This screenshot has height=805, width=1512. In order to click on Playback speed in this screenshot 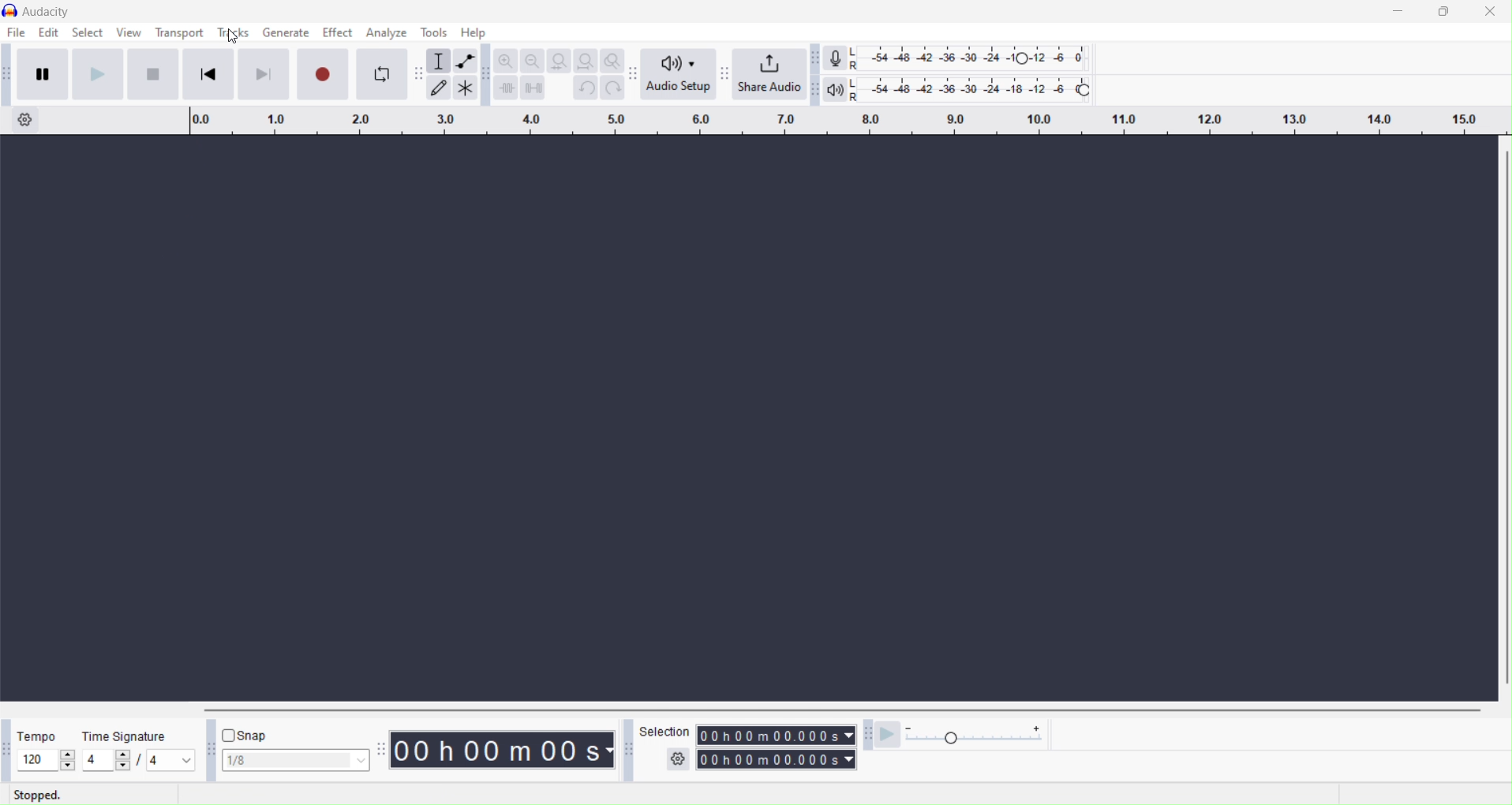, I will do `click(983, 736)`.